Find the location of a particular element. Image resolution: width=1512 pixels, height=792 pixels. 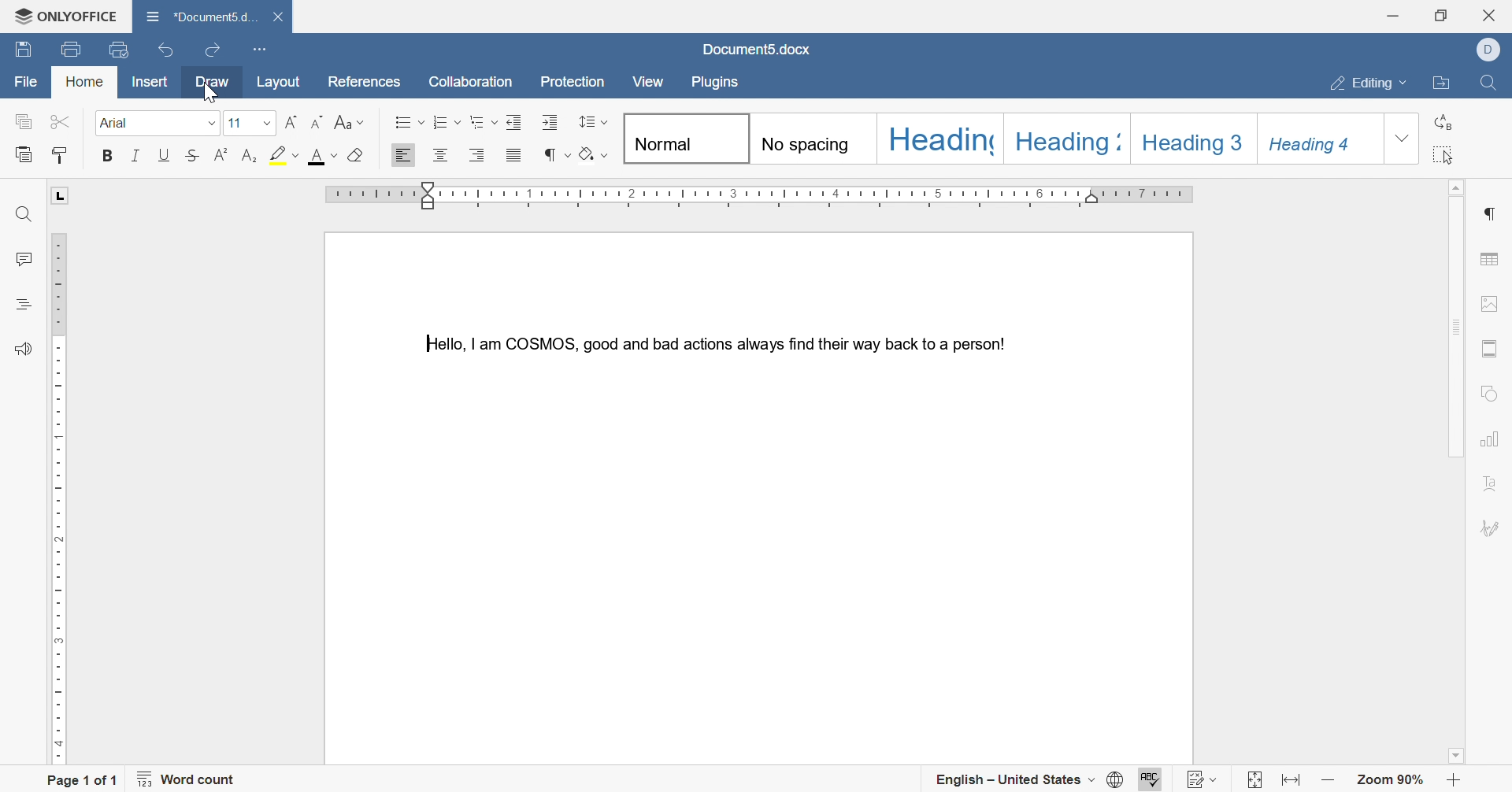

close is located at coordinates (1495, 13).